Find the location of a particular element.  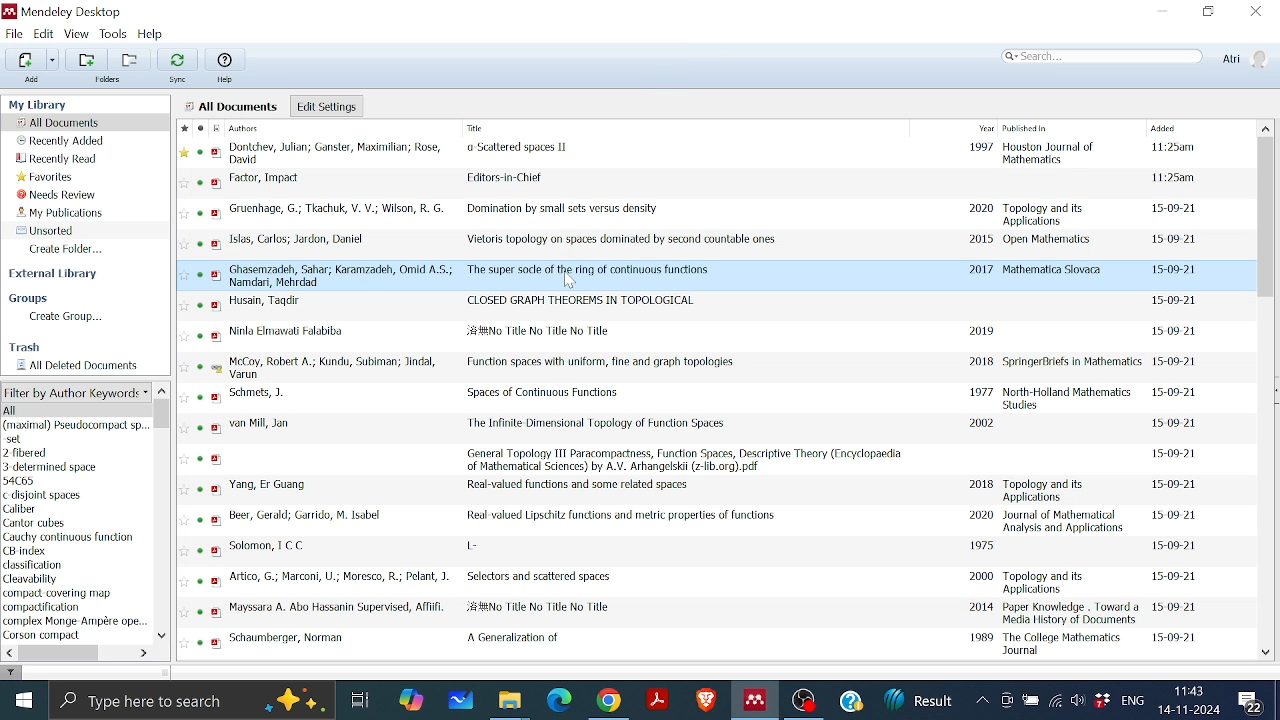

Favorites is located at coordinates (44, 177).